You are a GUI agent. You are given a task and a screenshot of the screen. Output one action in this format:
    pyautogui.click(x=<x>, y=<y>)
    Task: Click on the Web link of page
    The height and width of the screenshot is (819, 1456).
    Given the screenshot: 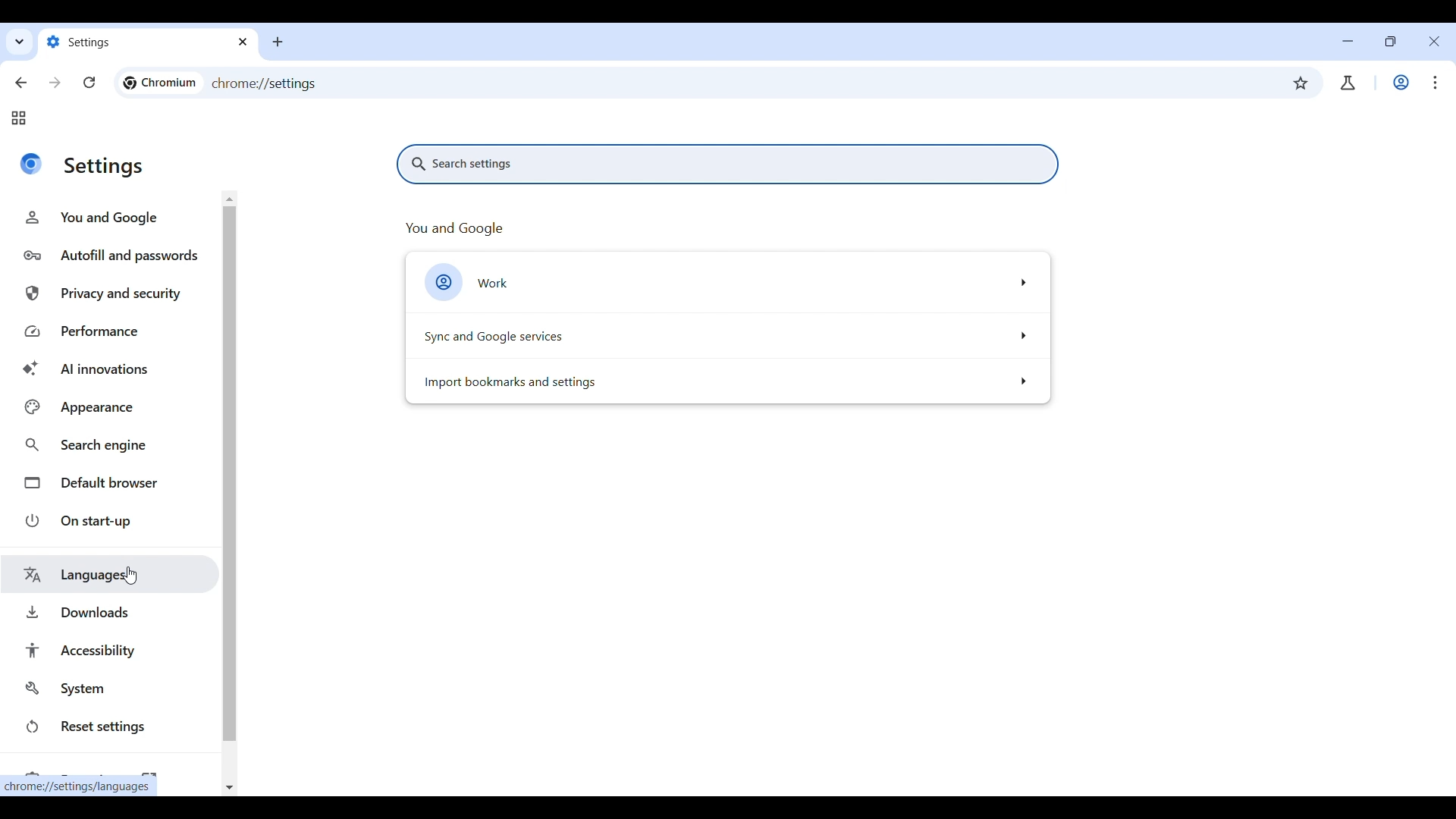 What is the action you would take?
    pyautogui.click(x=274, y=83)
    